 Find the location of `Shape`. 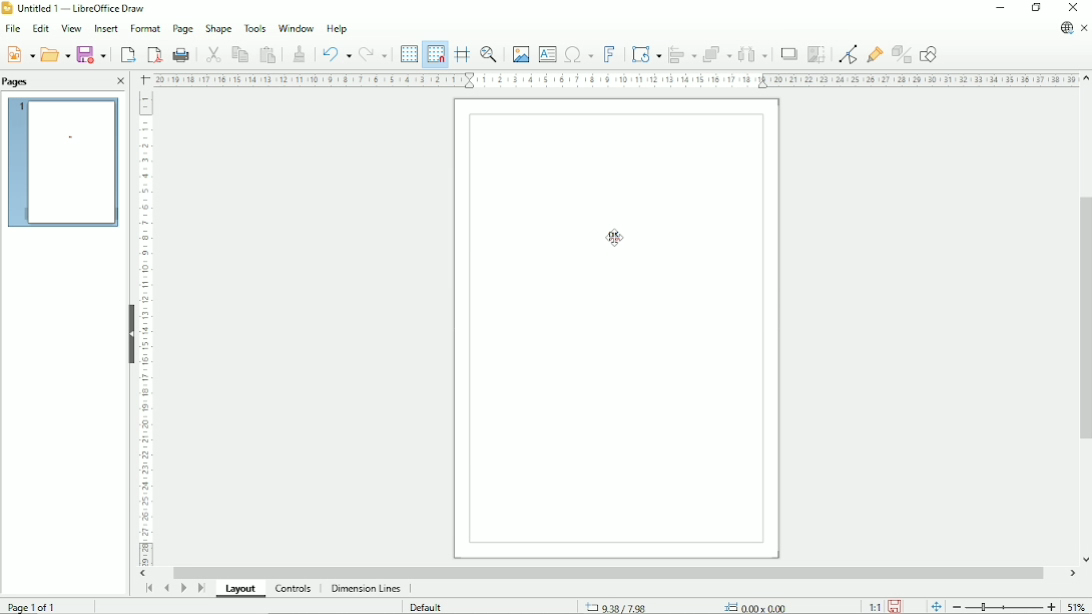

Shape is located at coordinates (218, 28).